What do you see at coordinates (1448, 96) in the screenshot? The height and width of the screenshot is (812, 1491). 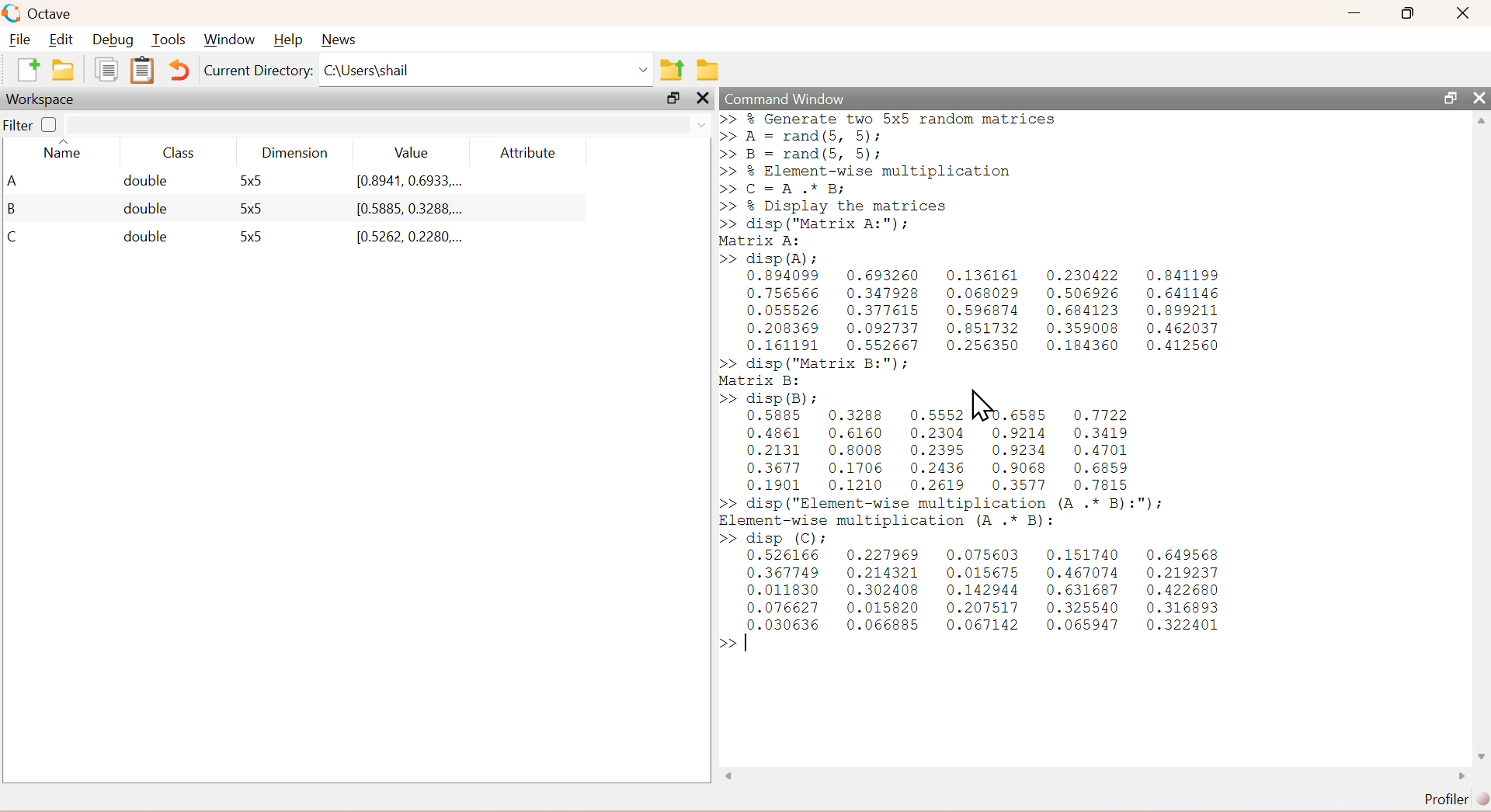 I see `Maximize/Restore` at bounding box center [1448, 96].